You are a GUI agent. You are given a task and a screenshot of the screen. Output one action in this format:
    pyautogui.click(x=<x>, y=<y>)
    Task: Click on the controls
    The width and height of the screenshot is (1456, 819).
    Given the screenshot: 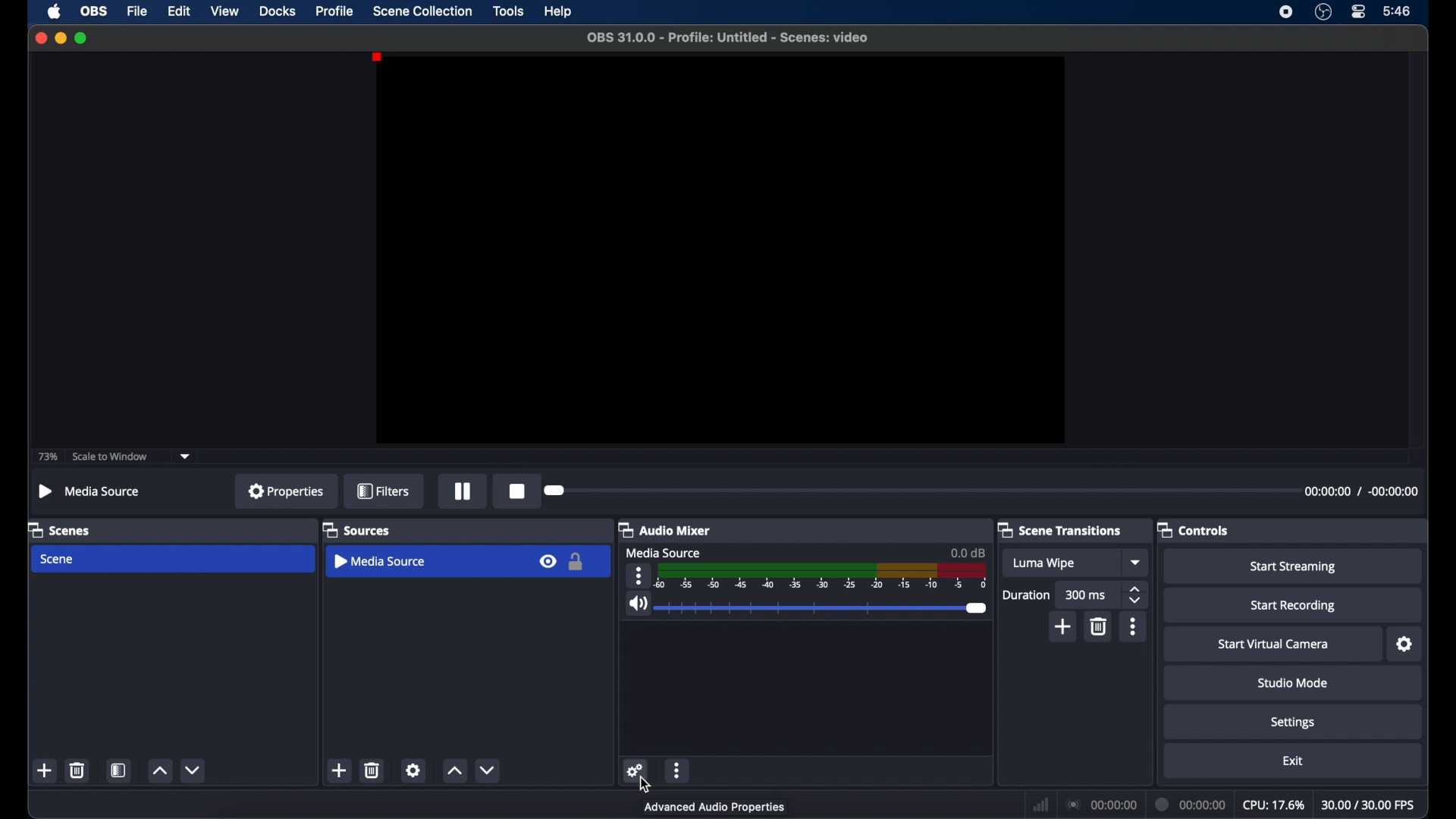 What is the action you would take?
    pyautogui.click(x=1195, y=530)
    